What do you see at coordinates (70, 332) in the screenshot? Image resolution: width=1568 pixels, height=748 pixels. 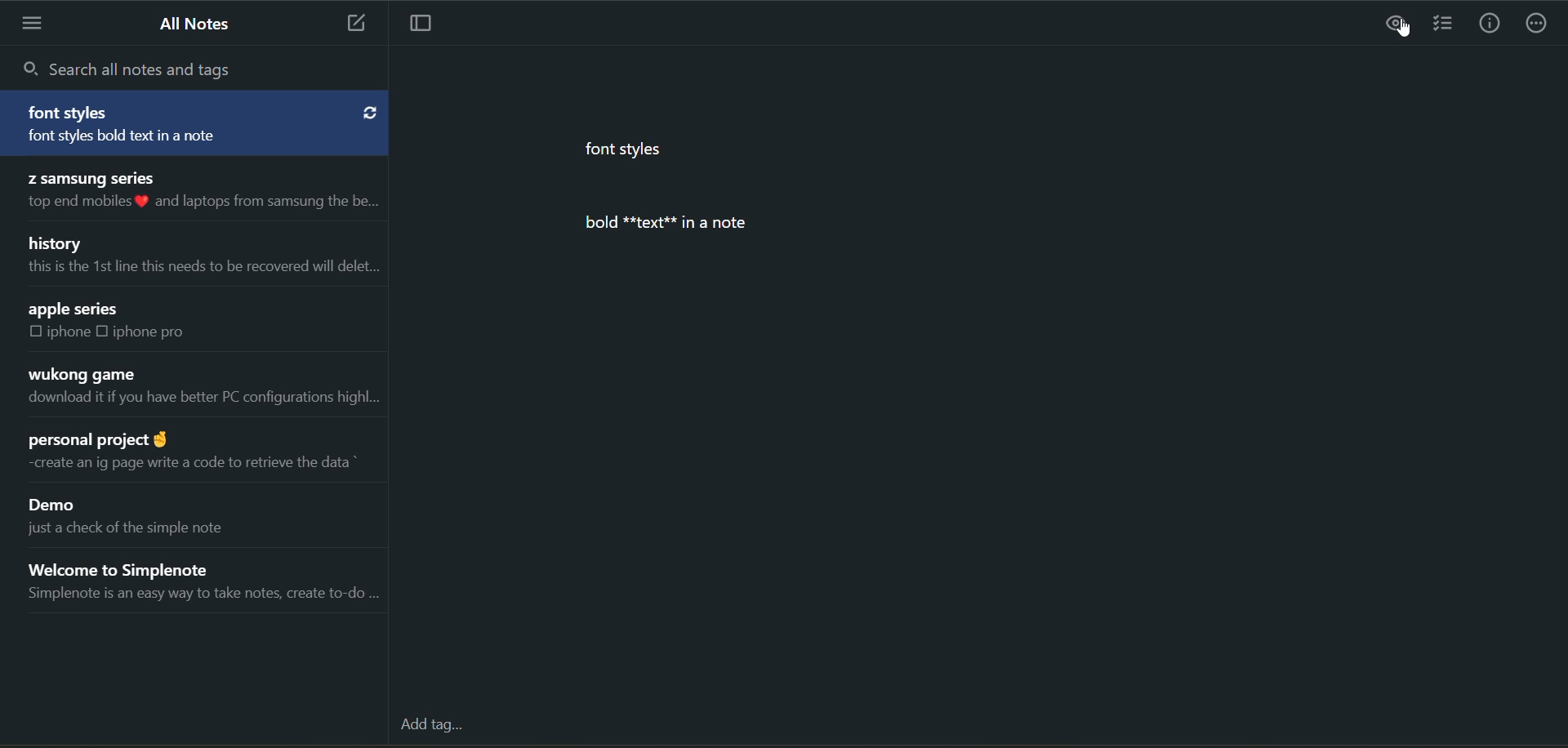 I see `iphone` at bounding box center [70, 332].